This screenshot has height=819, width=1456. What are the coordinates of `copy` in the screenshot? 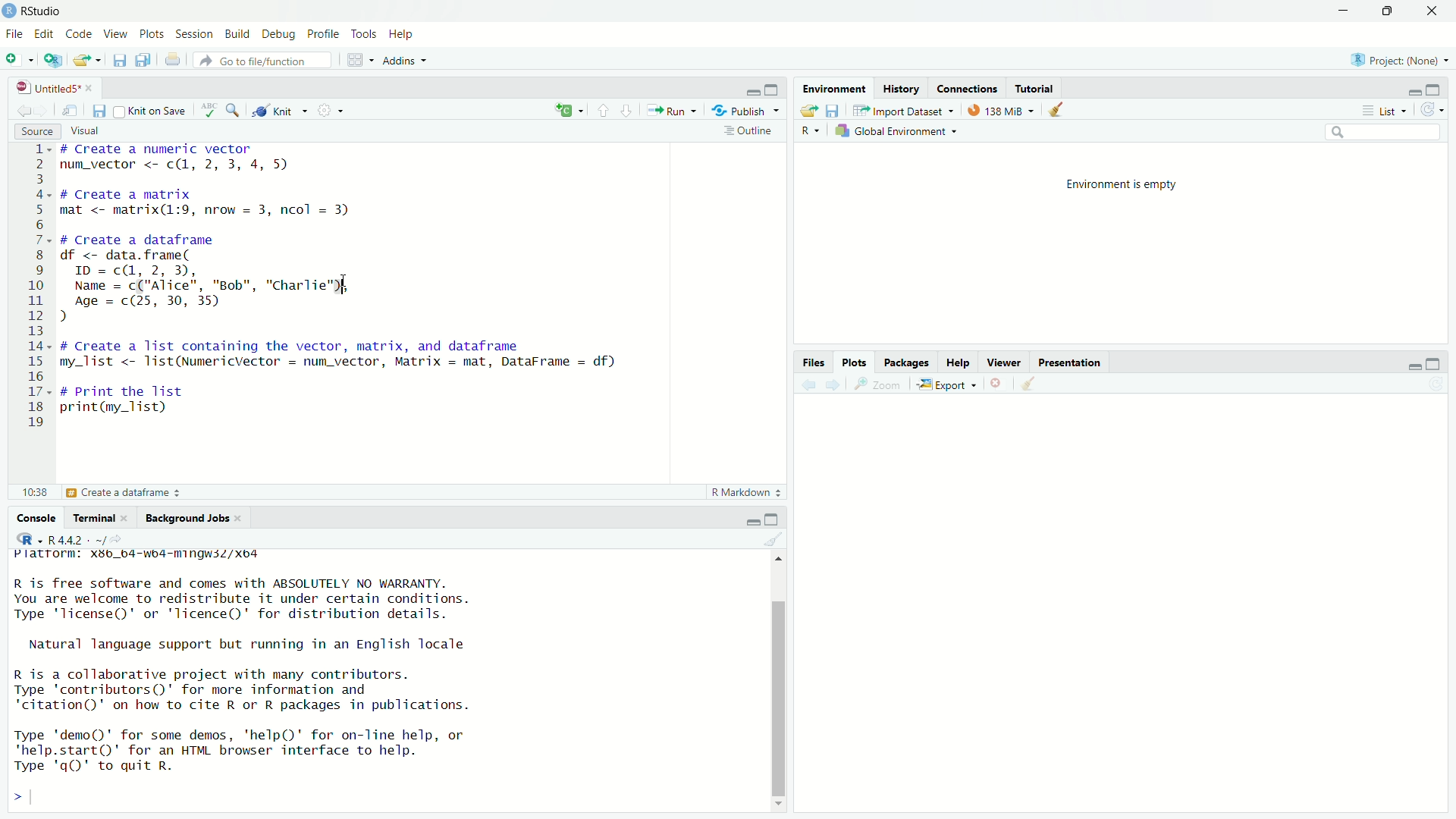 It's located at (144, 62).